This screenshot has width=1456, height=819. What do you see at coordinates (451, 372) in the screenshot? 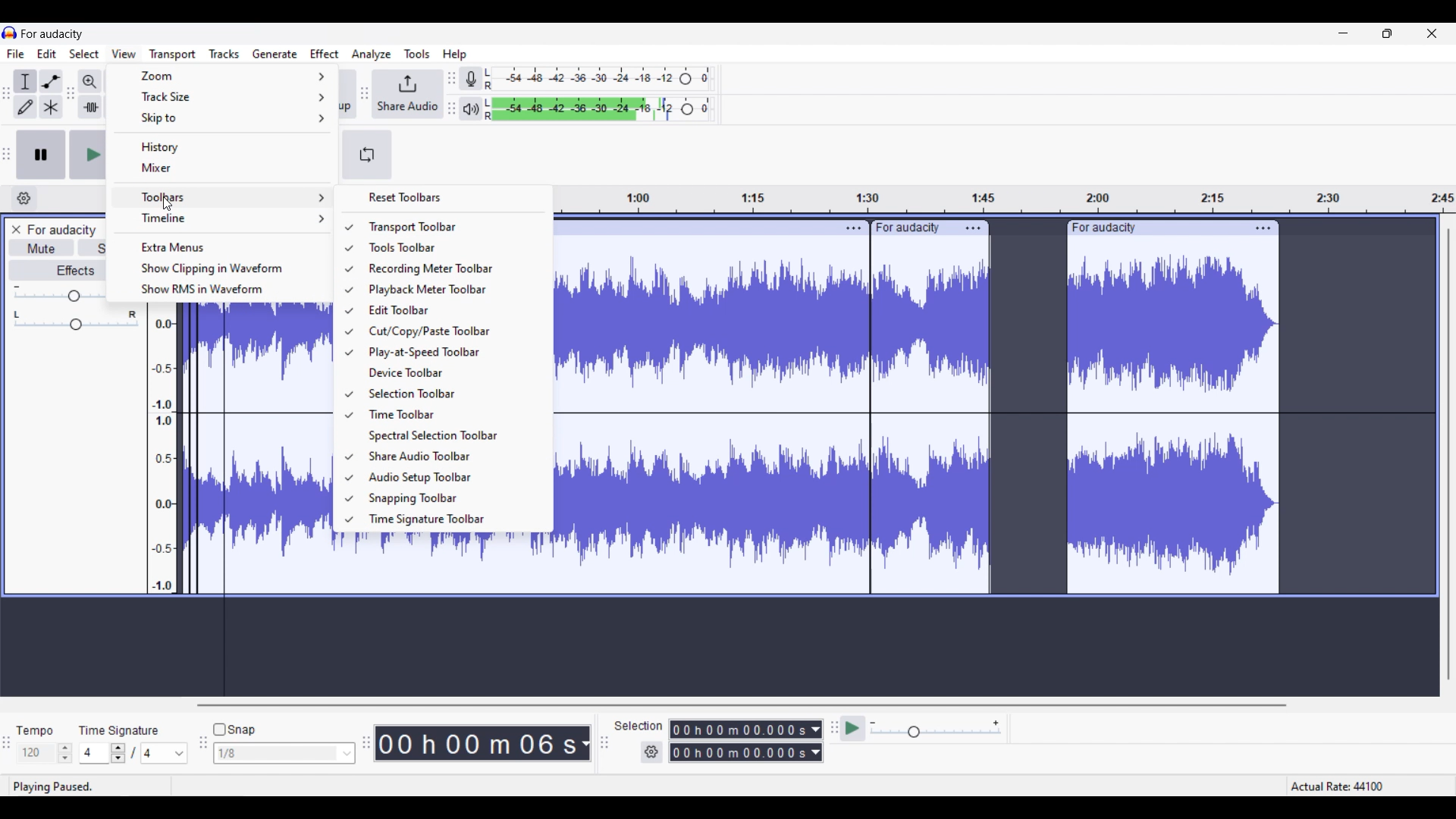
I see `Device toolbar` at bounding box center [451, 372].